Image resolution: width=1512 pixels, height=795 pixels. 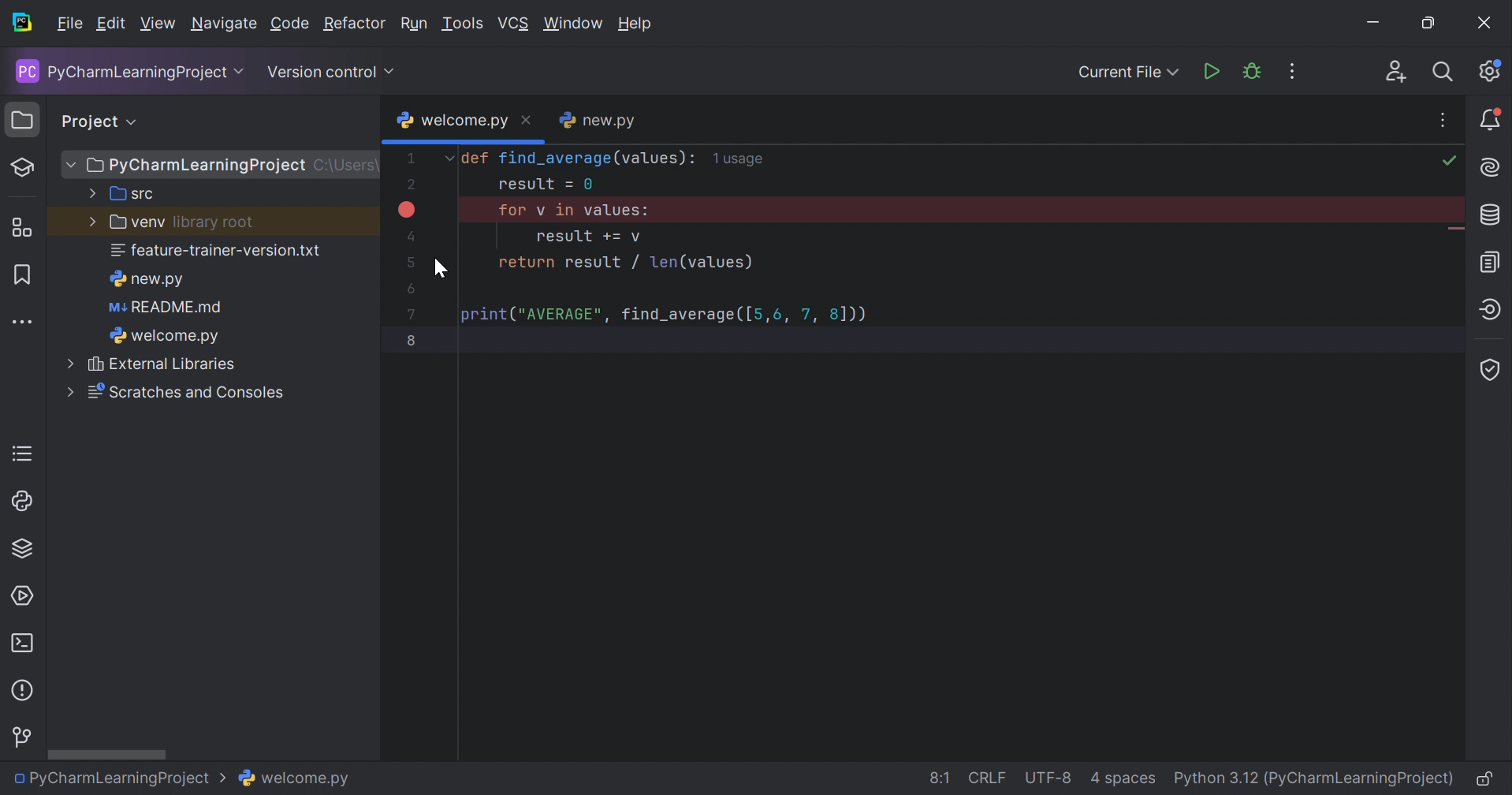 I want to click on 1usage, so click(x=742, y=160).